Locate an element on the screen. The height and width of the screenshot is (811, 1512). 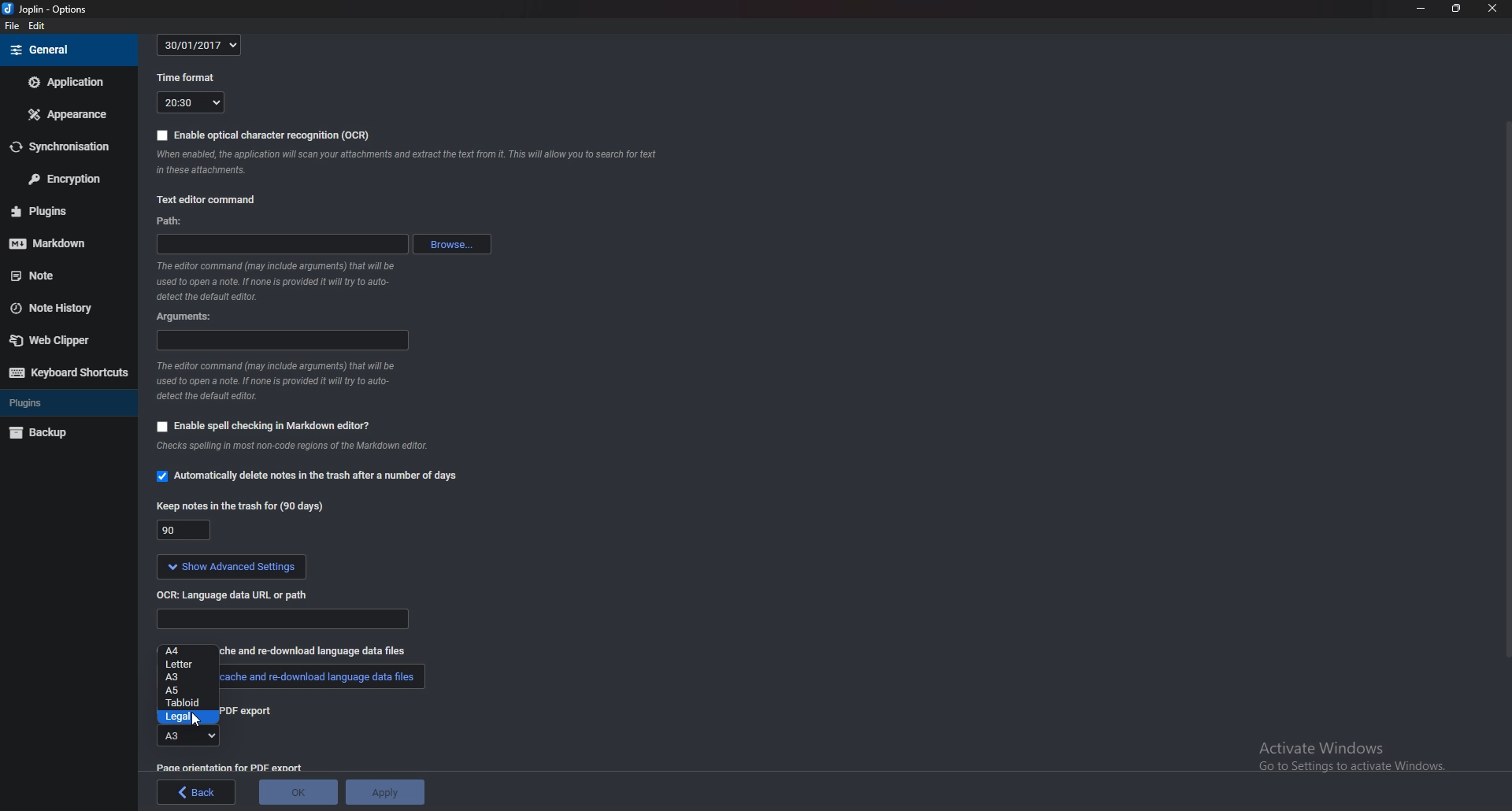
ok is located at coordinates (298, 792).